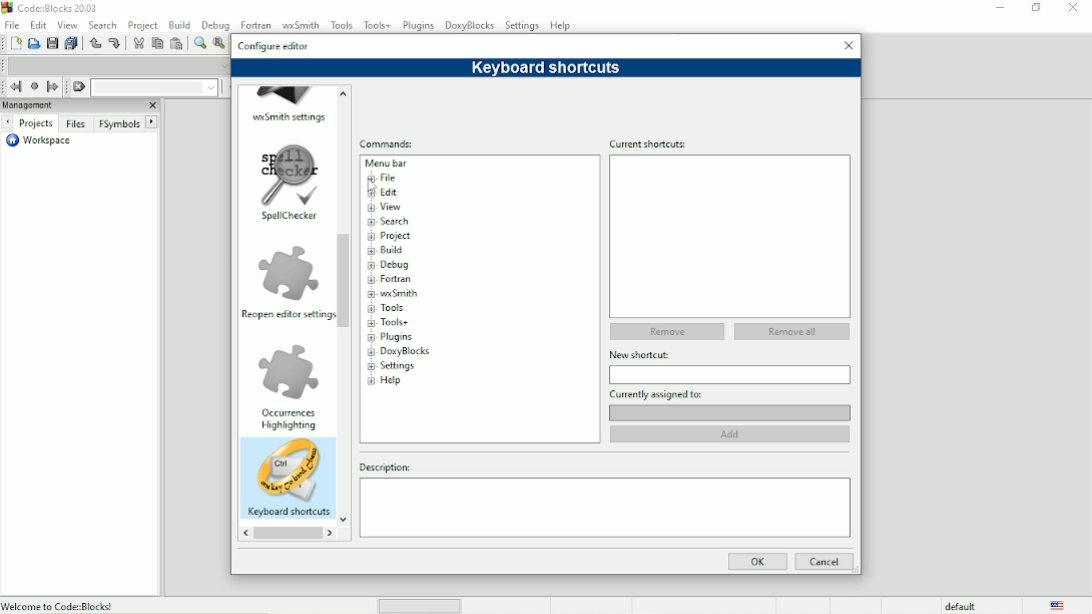 This screenshot has width=1092, height=614. What do you see at coordinates (79, 87) in the screenshot?
I see `Clear` at bounding box center [79, 87].